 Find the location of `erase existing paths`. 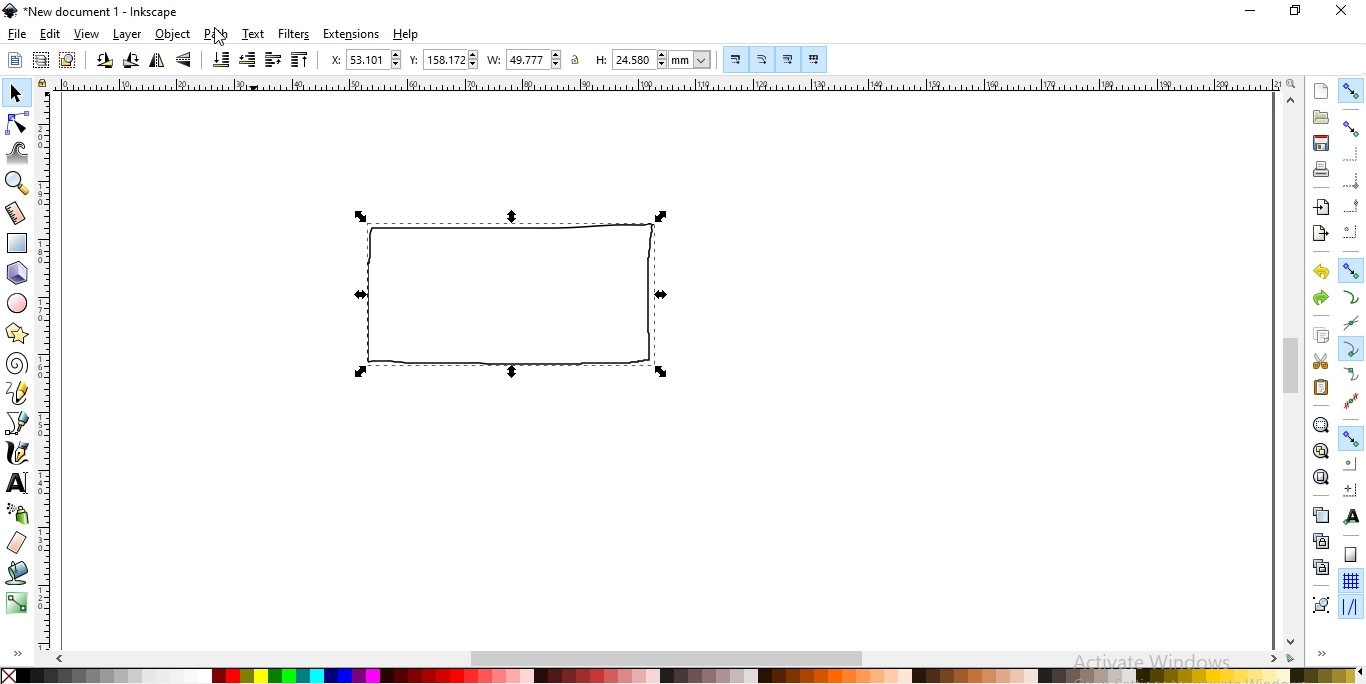

erase existing paths is located at coordinates (19, 543).